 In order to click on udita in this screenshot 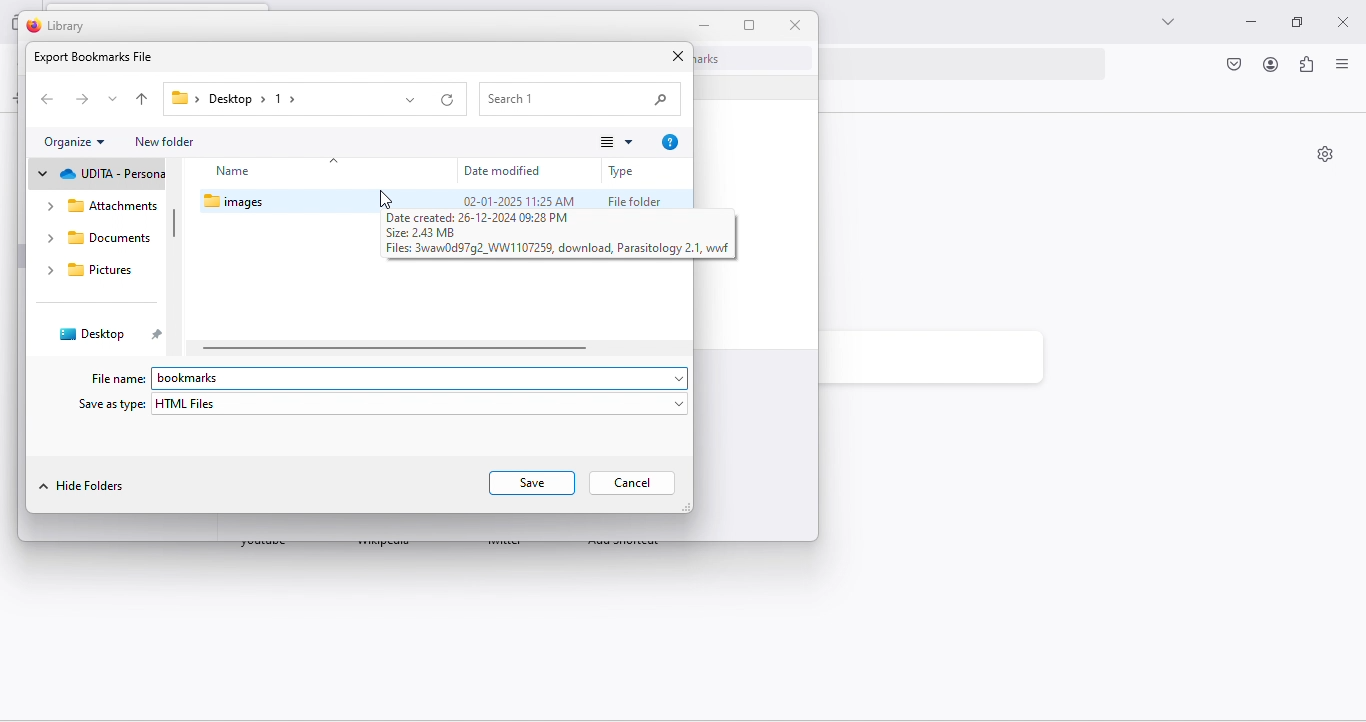, I will do `click(98, 174)`.